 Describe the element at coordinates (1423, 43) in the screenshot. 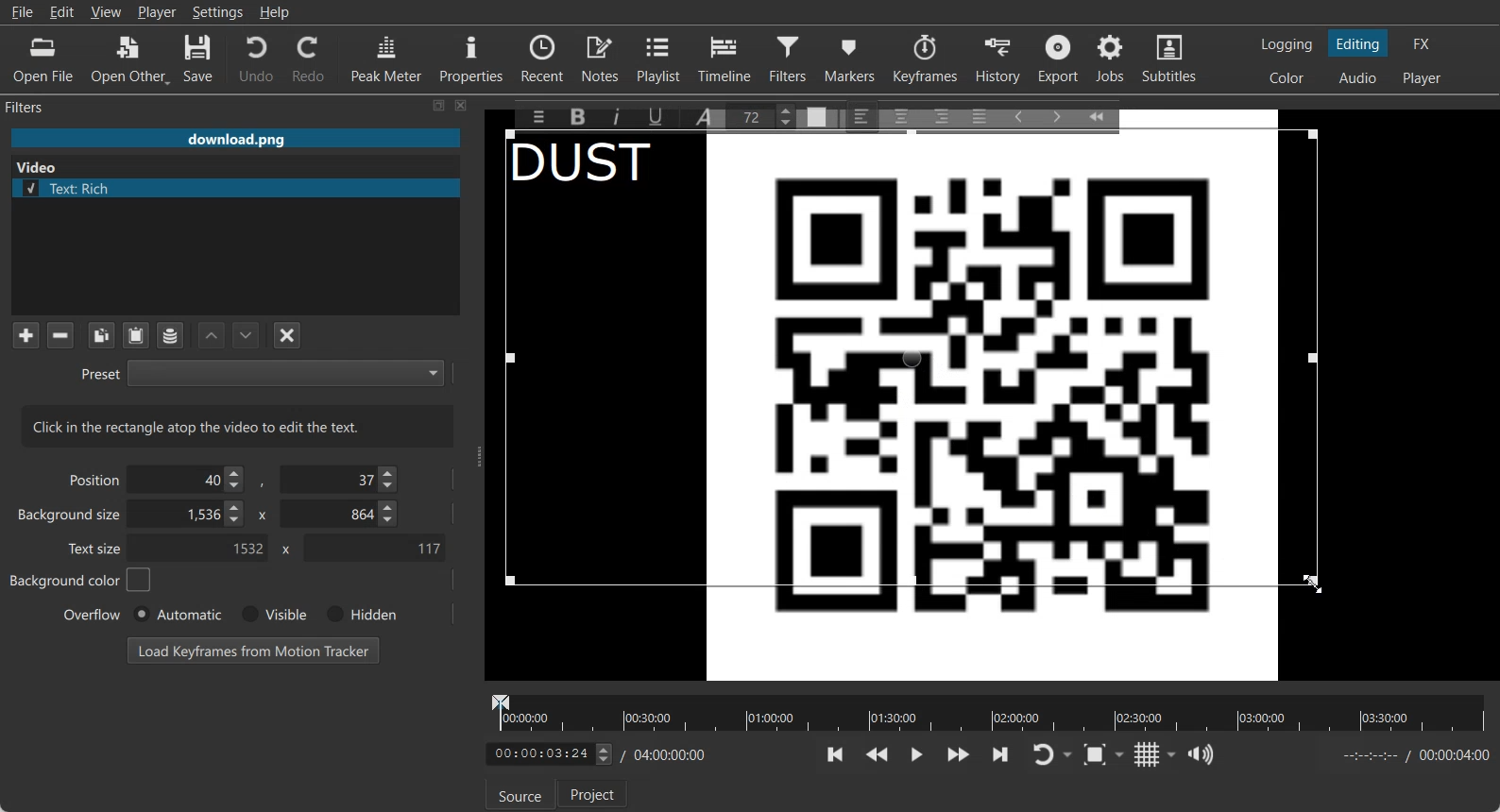

I see `Switching to the Effect layout` at that location.